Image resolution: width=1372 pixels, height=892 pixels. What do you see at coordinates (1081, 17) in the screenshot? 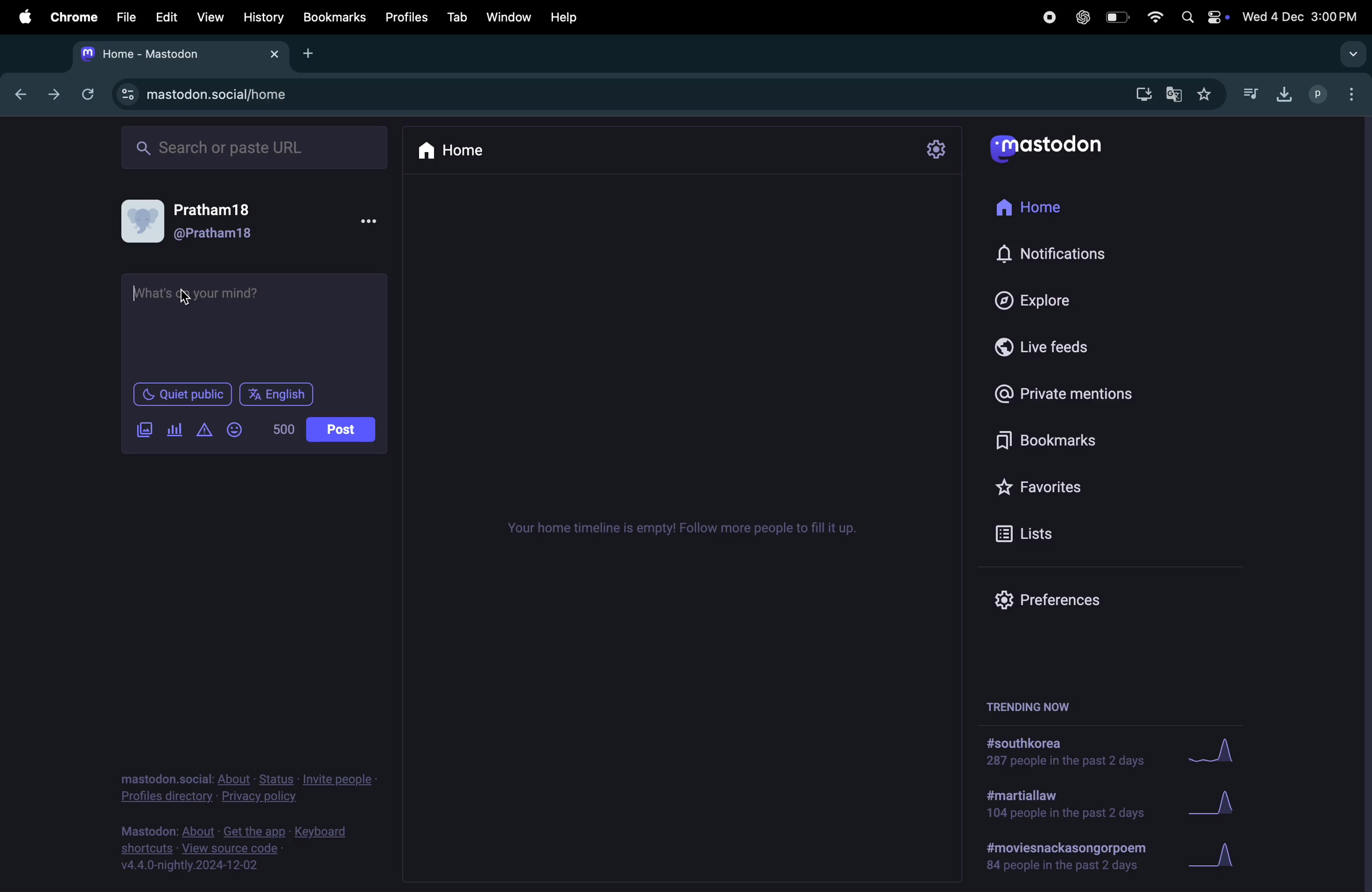
I see `` at bounding box center [1081, 17].